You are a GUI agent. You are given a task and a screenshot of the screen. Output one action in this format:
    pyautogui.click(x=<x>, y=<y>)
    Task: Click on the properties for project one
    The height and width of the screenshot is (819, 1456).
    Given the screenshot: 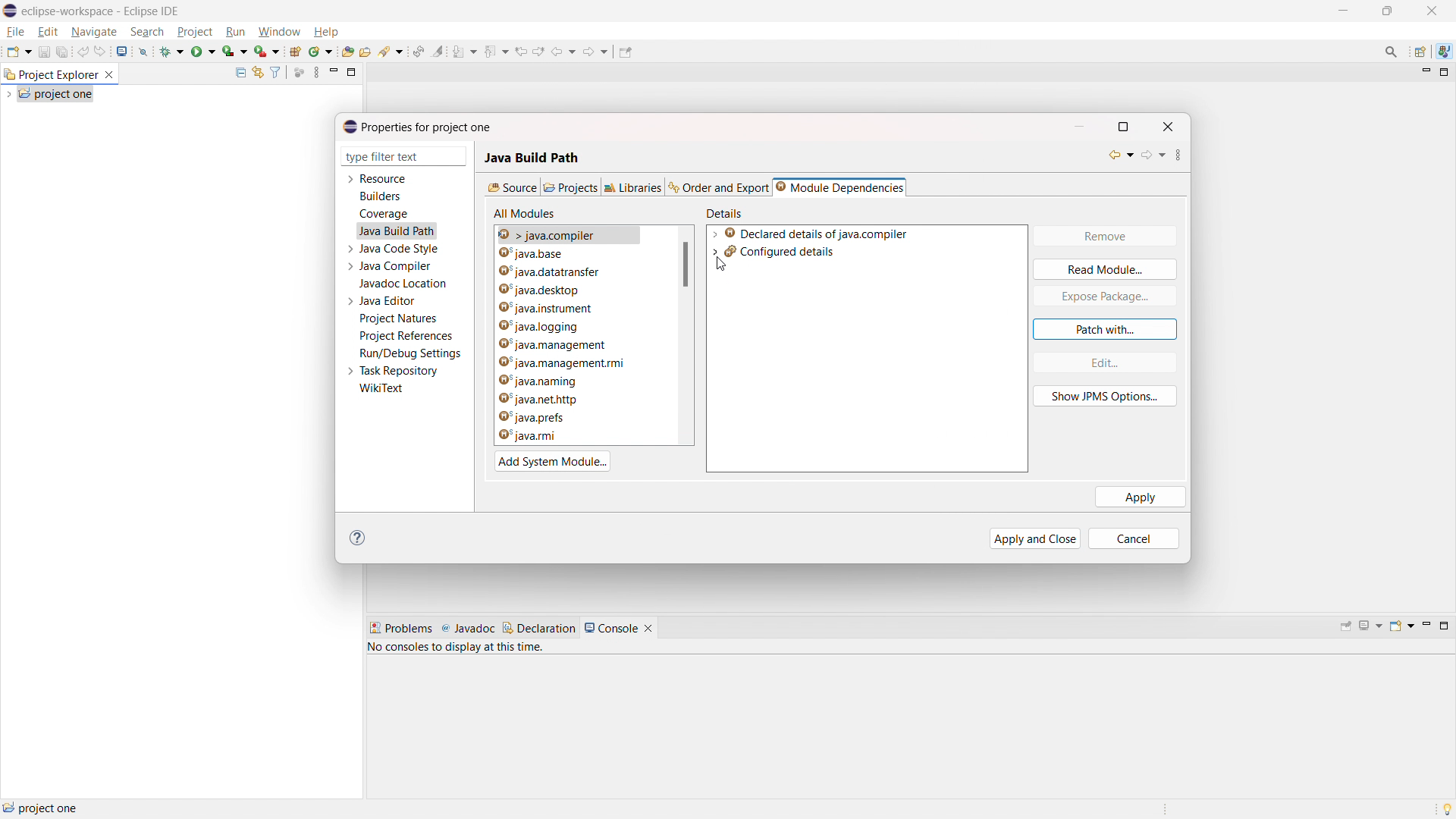 What is the action you would take?
    pyautogui.click(x=418, y=127)
    